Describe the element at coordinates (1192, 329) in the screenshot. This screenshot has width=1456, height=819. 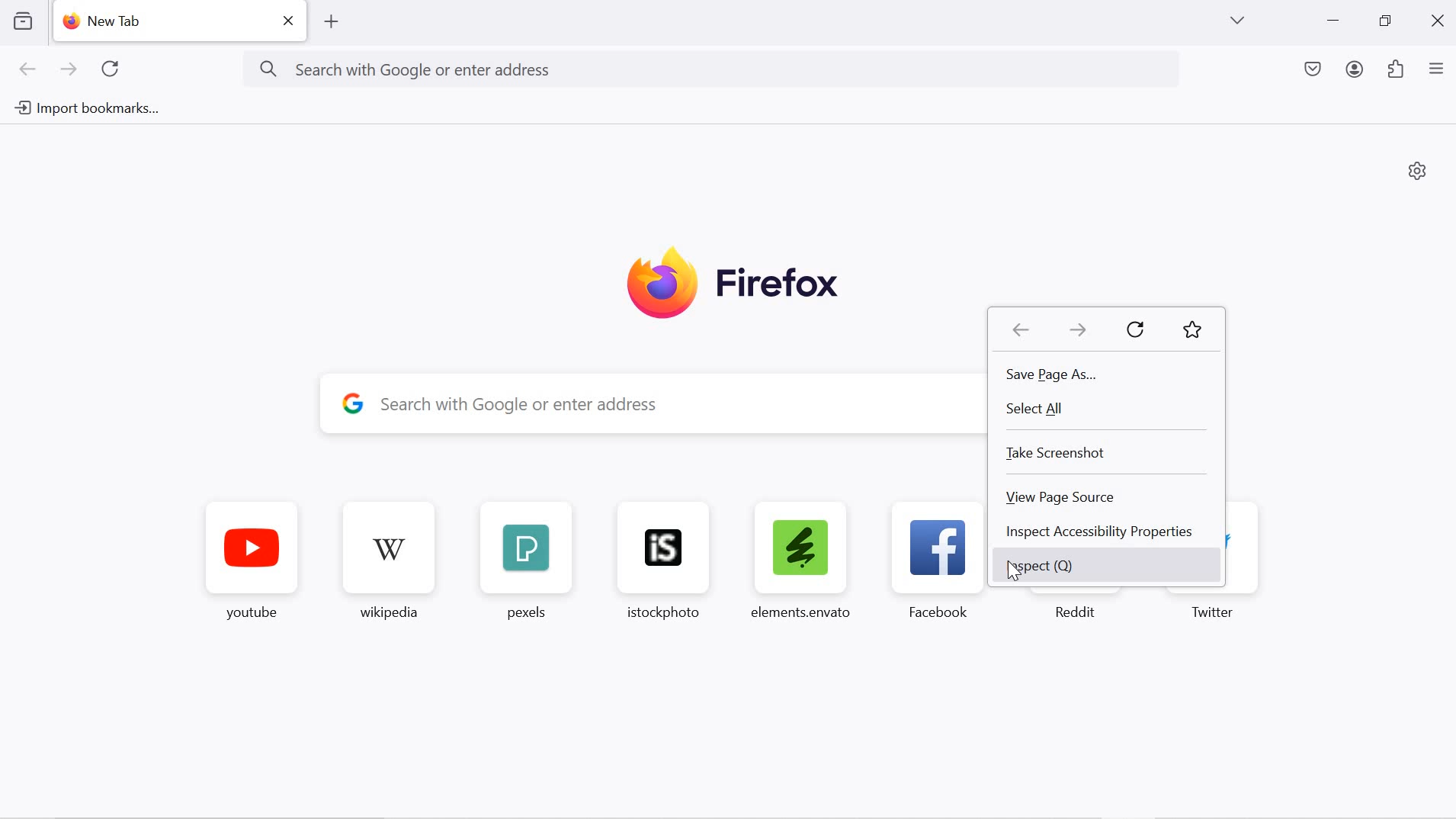
I see `bookmark page` at that location.